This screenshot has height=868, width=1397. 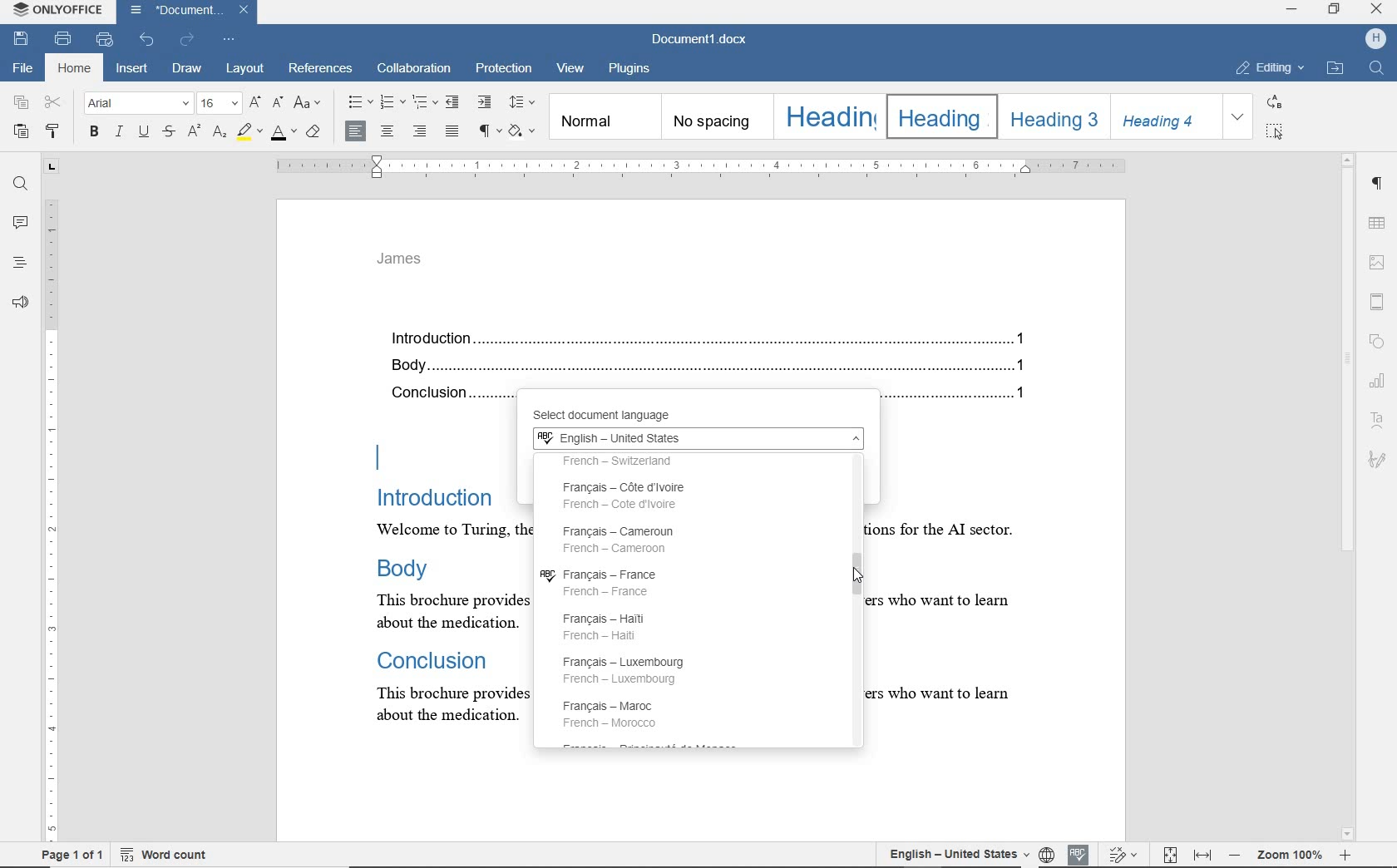 What do you see at coordinates (22, 103) in the screenshot?
I see `copy` at bounding box center [22, 103].